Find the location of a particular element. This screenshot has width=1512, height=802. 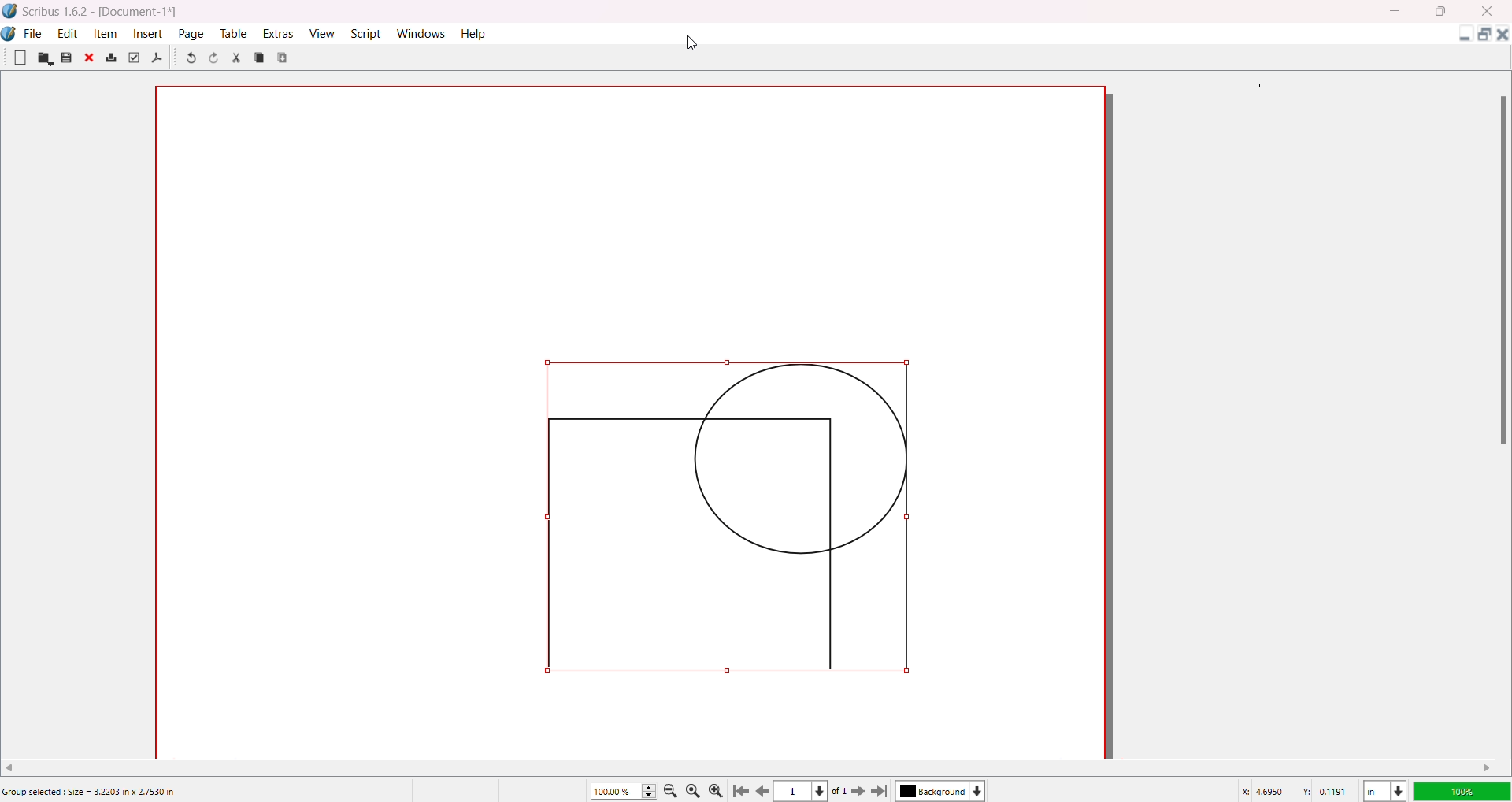

Close is located at coordinates (91, 59).